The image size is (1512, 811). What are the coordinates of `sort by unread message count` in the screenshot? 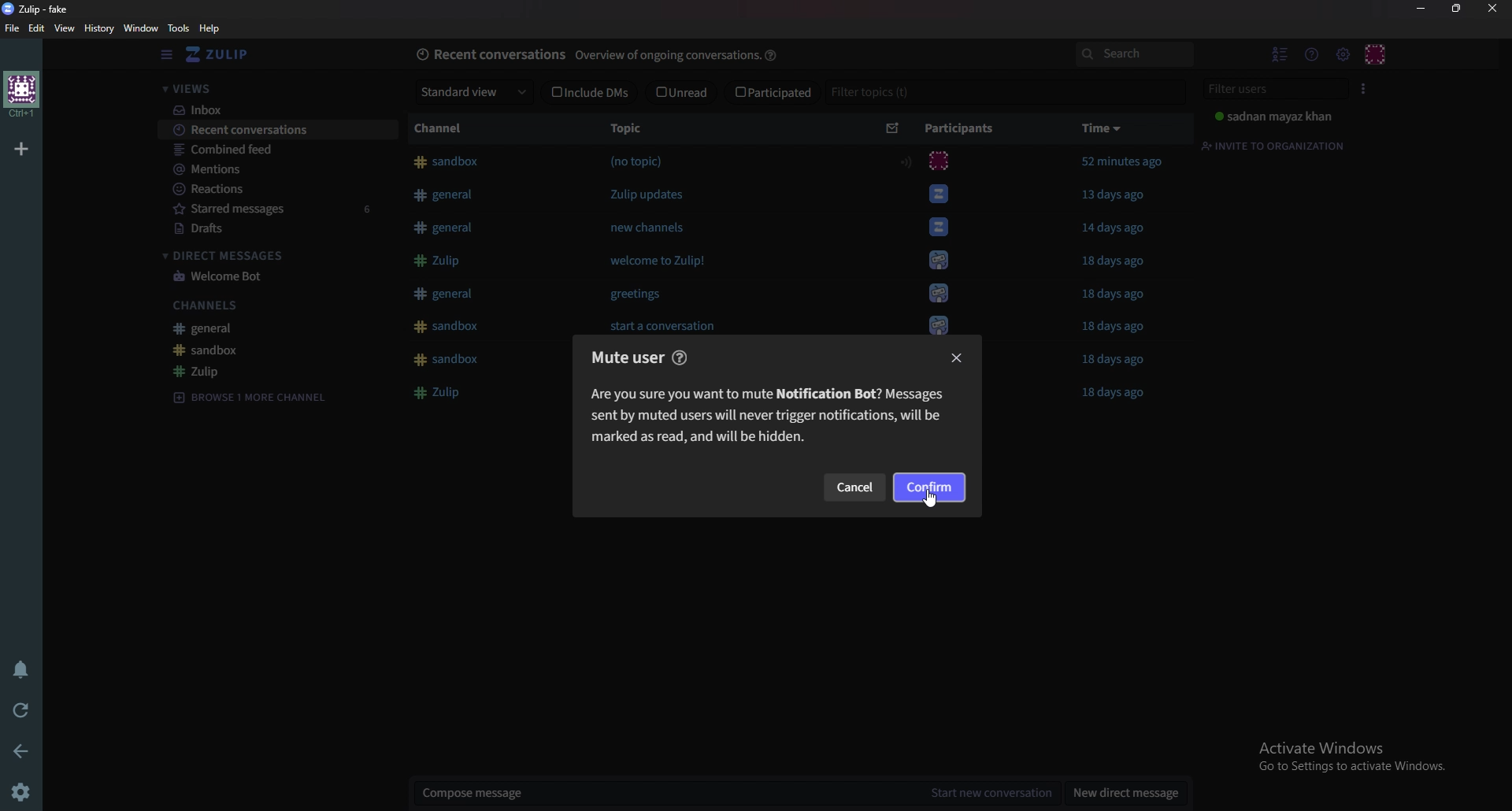 It's located at (893, 127).